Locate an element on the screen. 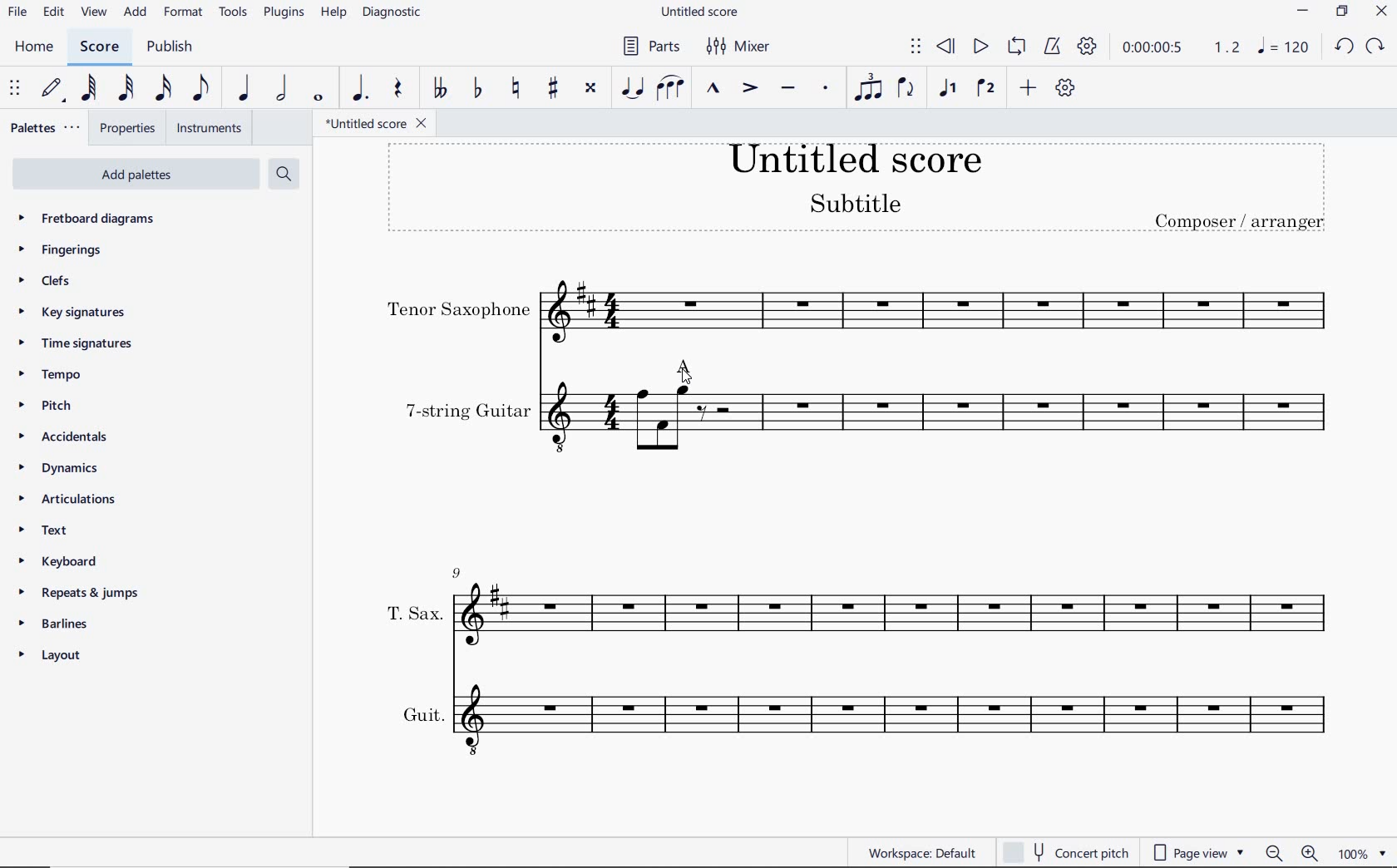 Image resolution: width=1397 pixels, height=868 pixels. INSTRUMENT: 7-STRING GUITAR is located at coordinates (866, 442).